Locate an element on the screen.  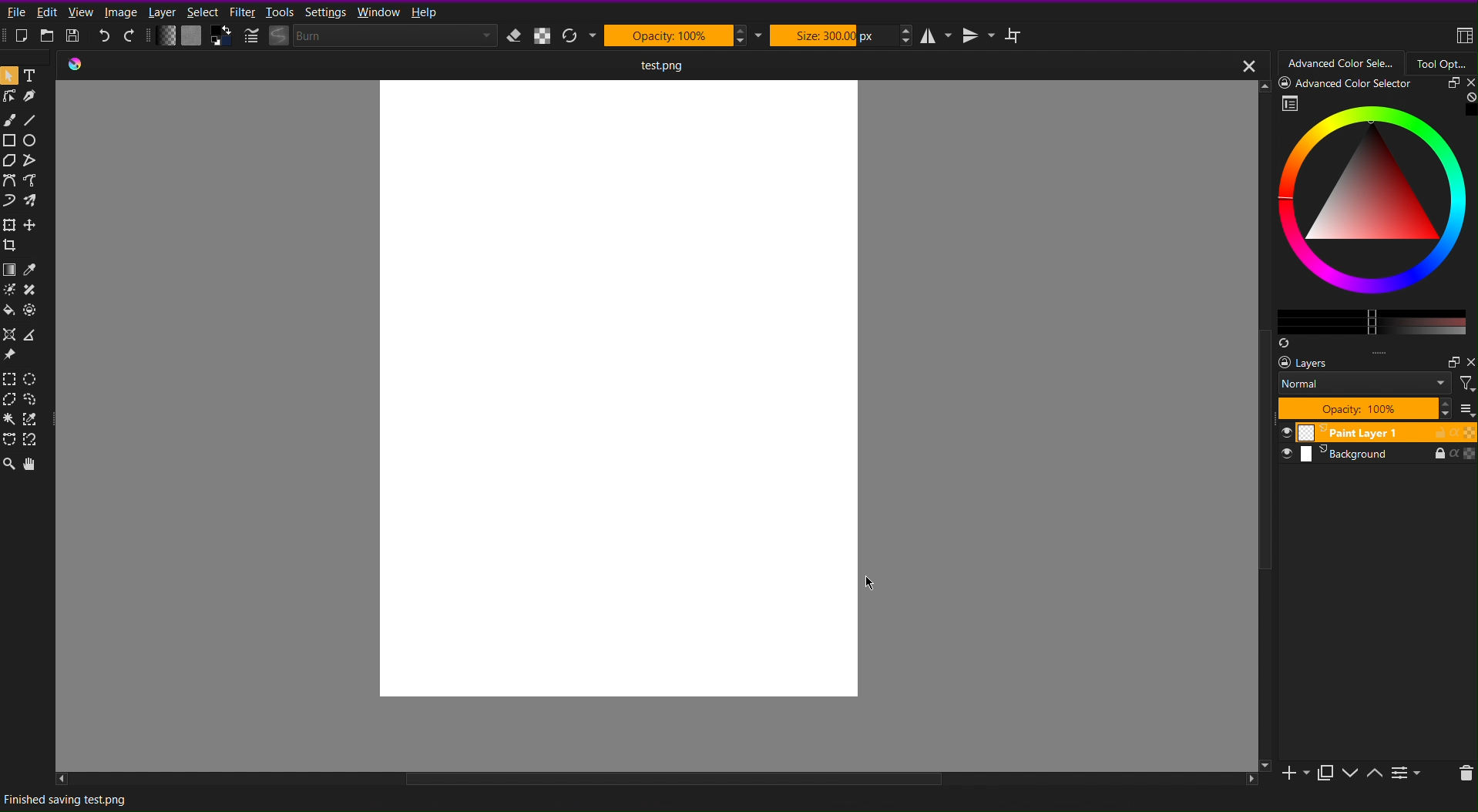
Polygon Tools is located at coordinates (25, 159).